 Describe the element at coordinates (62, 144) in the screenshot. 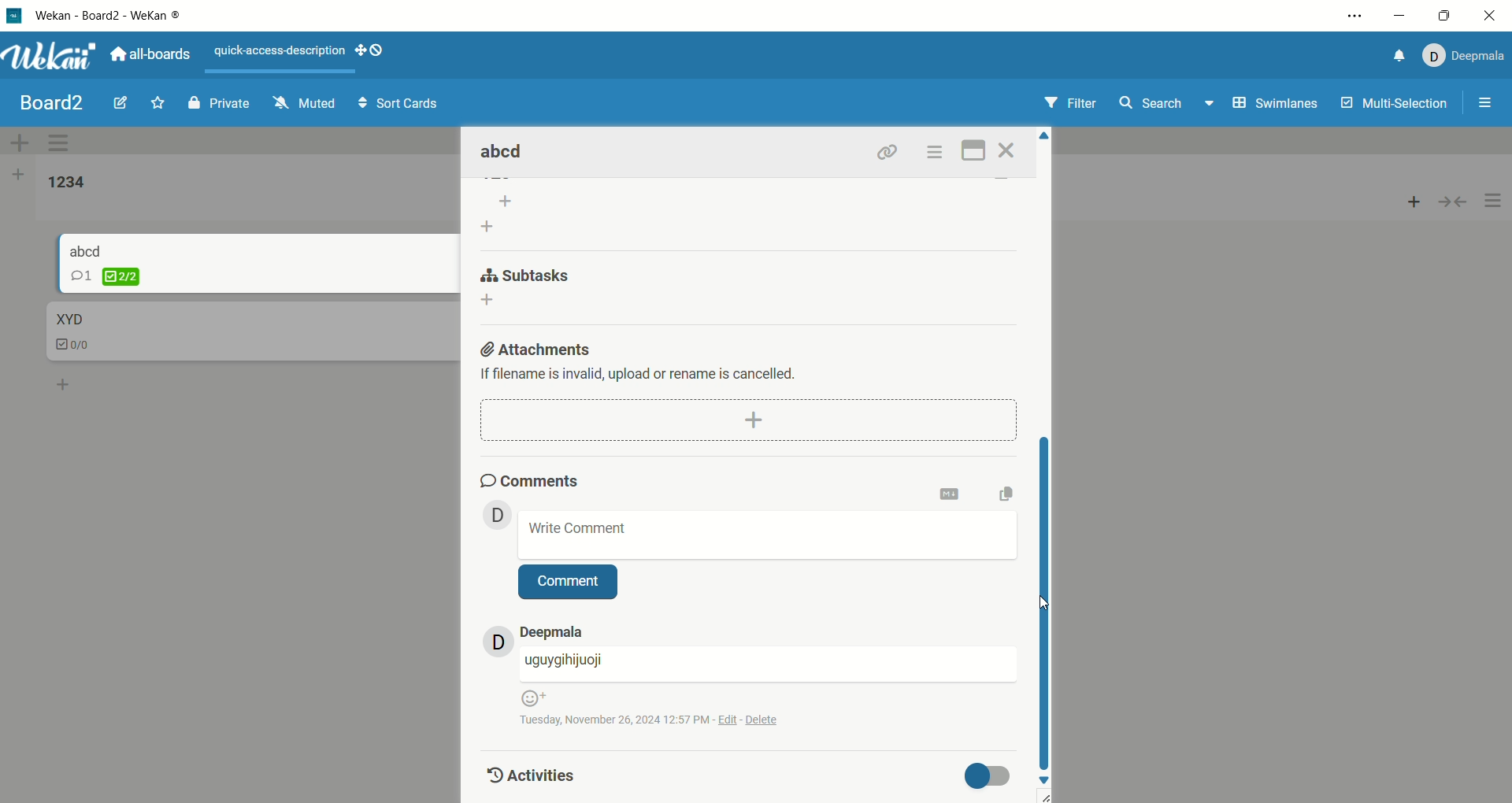

I see `swimlane actions` at that location.